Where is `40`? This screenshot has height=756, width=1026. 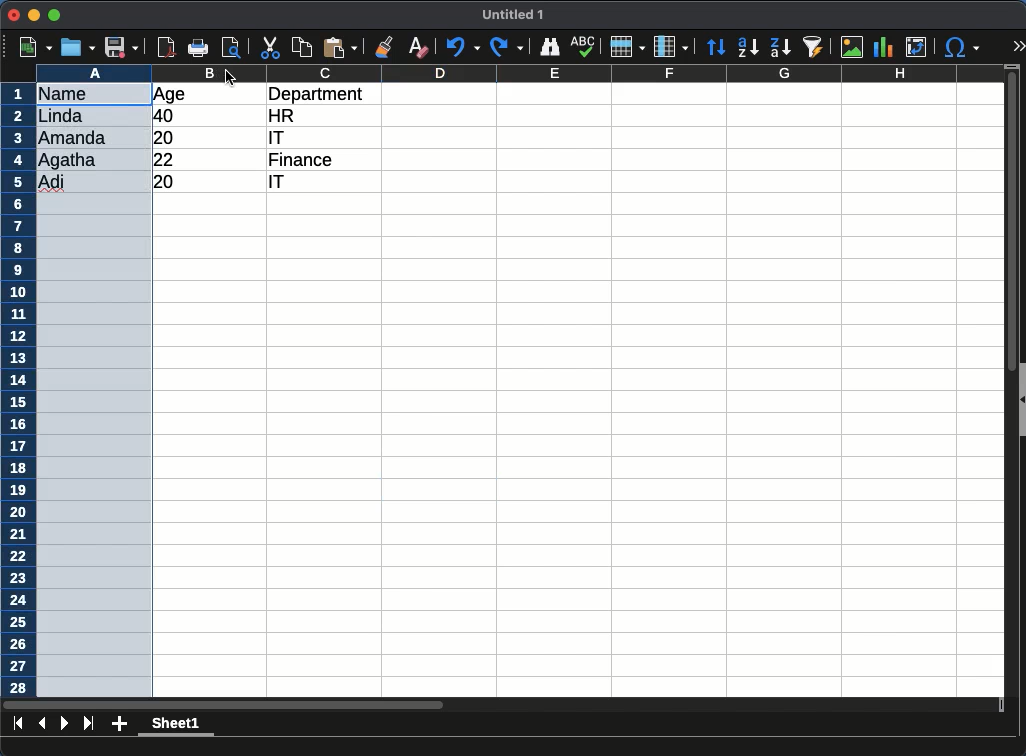
40 is located at coordinates (164, 116).